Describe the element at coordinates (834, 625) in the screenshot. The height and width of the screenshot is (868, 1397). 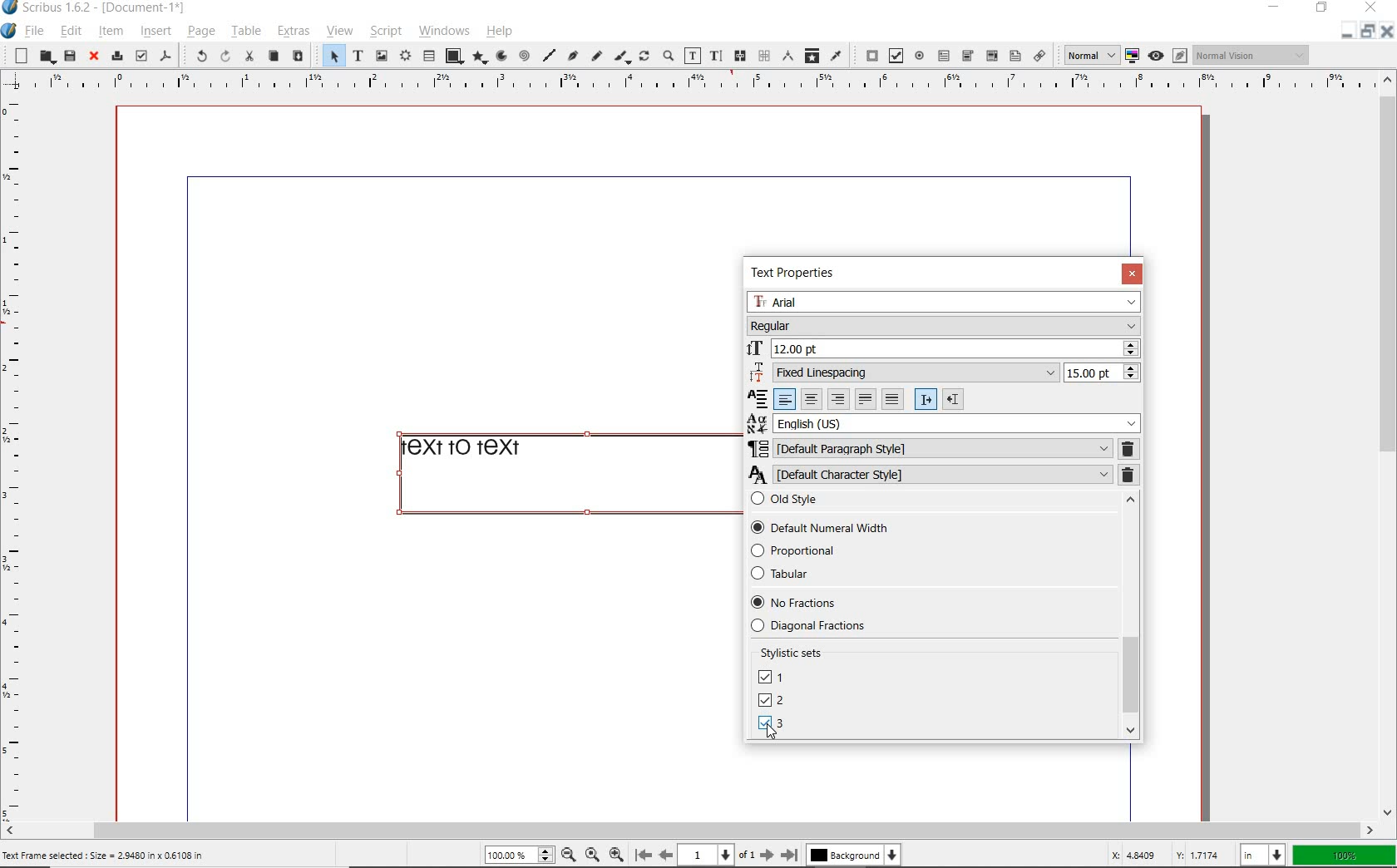
I see `Diagonal fractions` at that location.